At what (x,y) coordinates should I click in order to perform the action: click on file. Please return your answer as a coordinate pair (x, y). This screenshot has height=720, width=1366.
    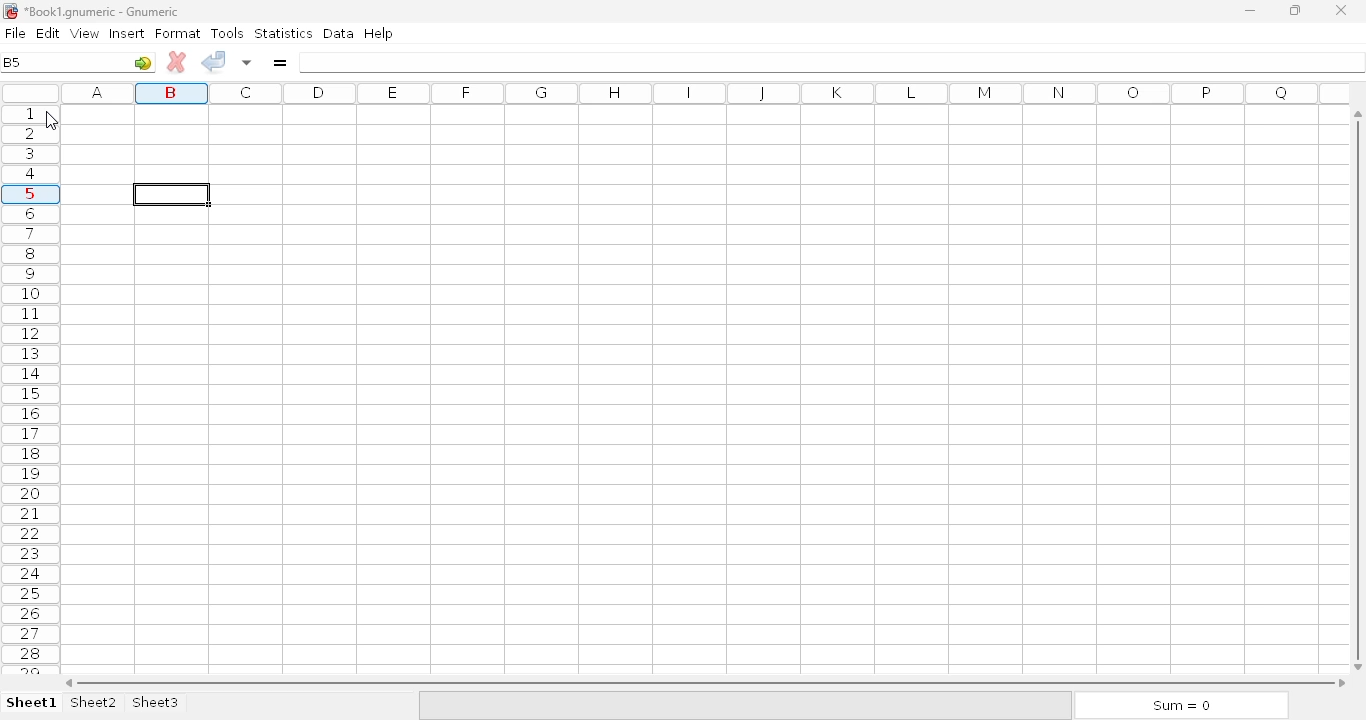
    Looking at the image, I should click on (15, 33).